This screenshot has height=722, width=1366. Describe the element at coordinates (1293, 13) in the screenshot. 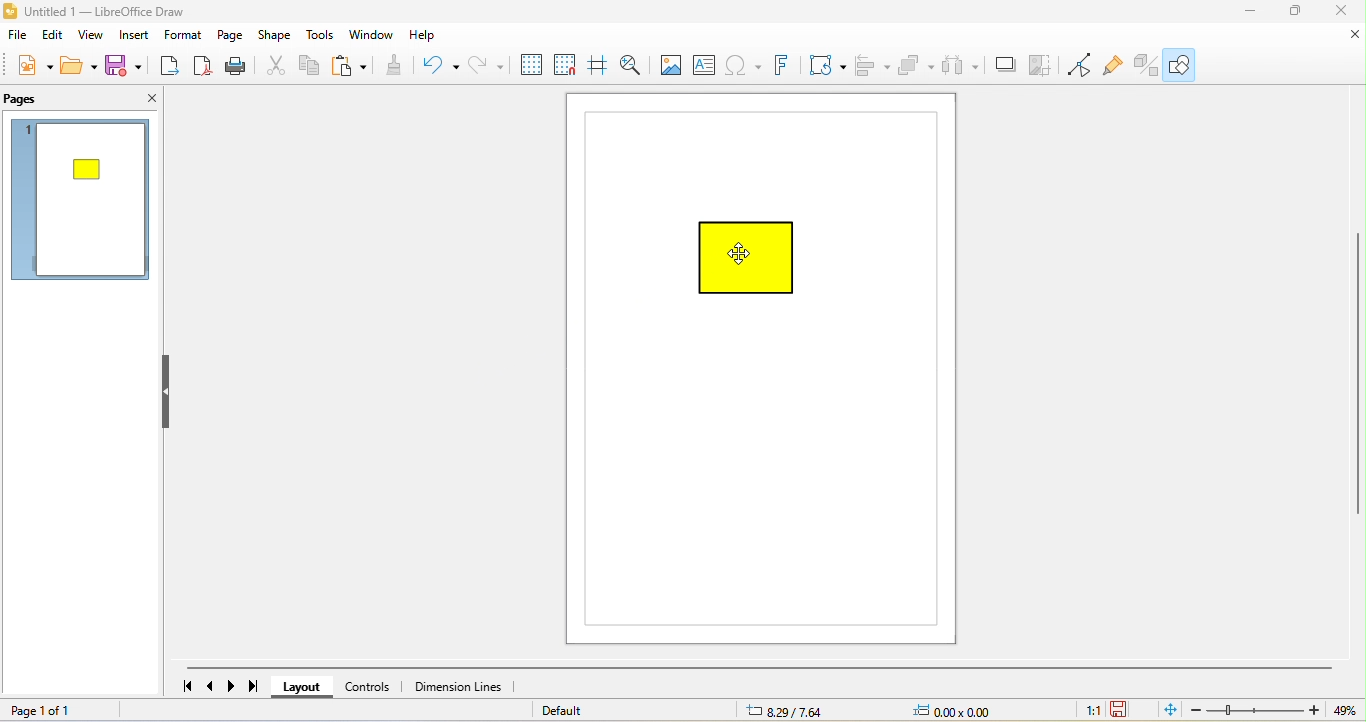

I see `maximize` at that location.